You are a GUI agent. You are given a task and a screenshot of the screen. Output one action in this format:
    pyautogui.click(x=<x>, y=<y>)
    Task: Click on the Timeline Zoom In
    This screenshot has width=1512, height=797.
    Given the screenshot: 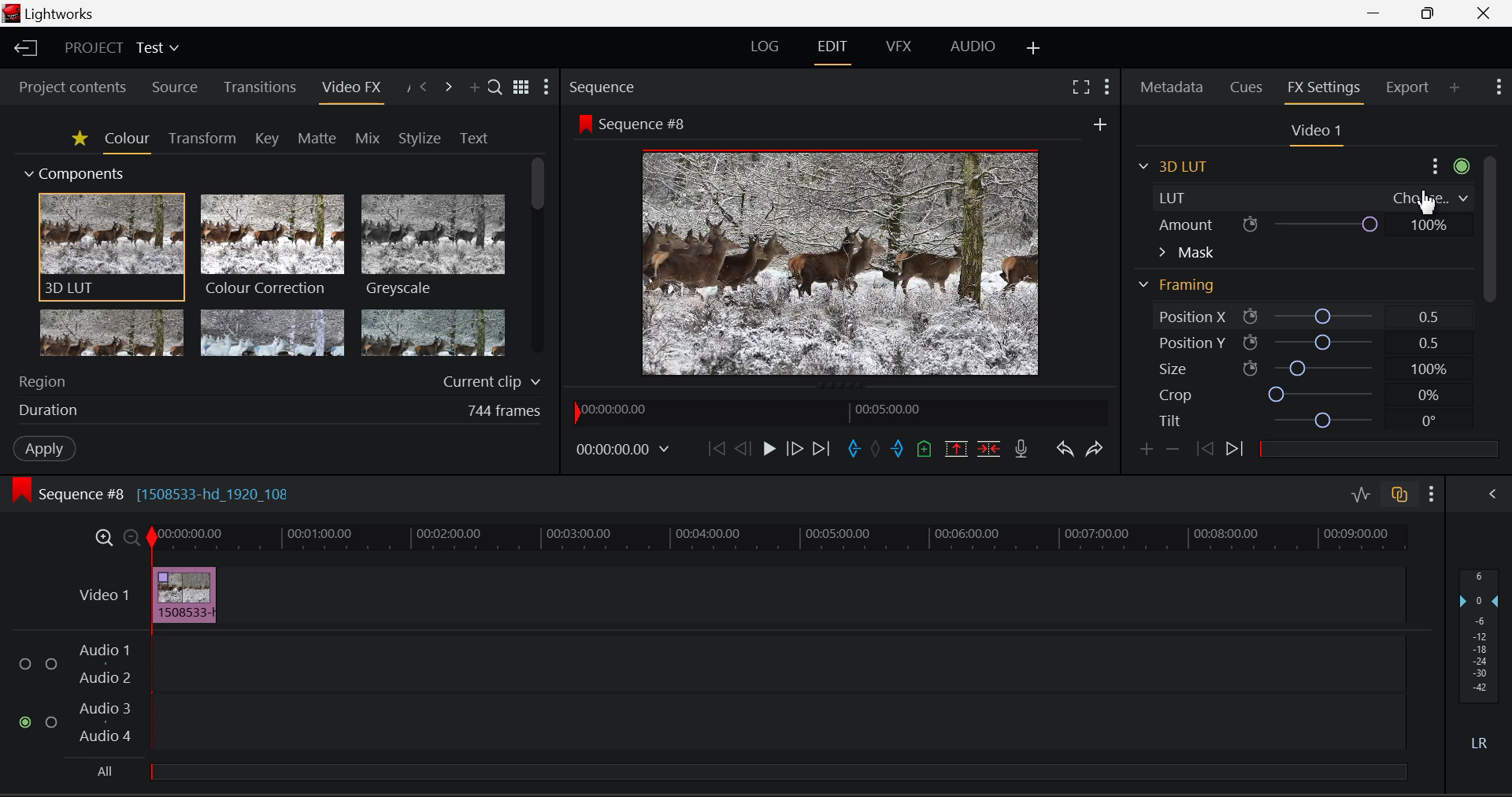 What is the action you would take?
    pyautogui.click(x=103, y=537)
    